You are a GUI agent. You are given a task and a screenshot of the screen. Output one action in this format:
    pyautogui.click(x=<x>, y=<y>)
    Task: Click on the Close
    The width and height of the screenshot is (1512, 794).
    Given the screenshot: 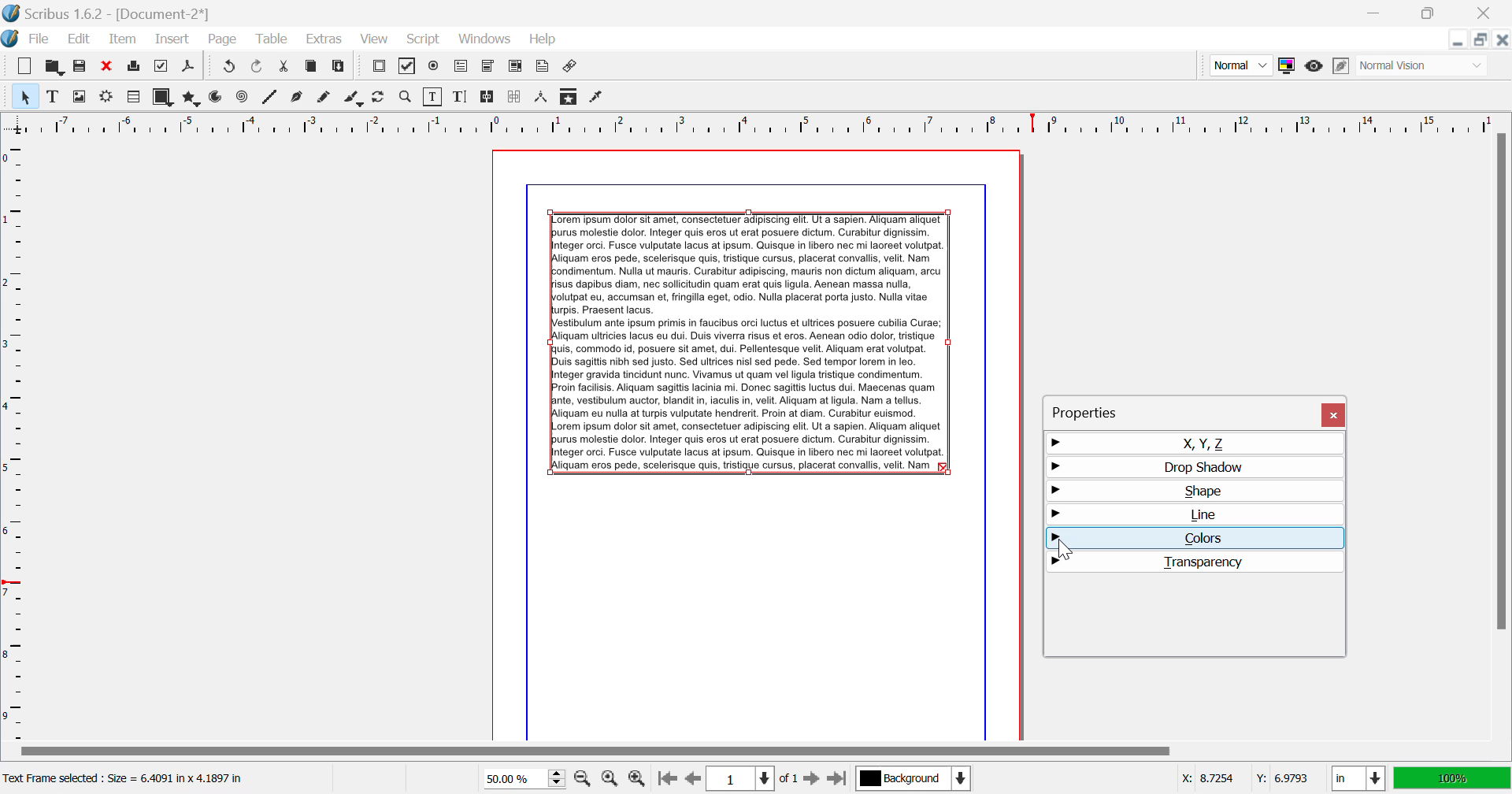 What is the action you would take?
    pyautogui.click(x=1488, y=13)
    